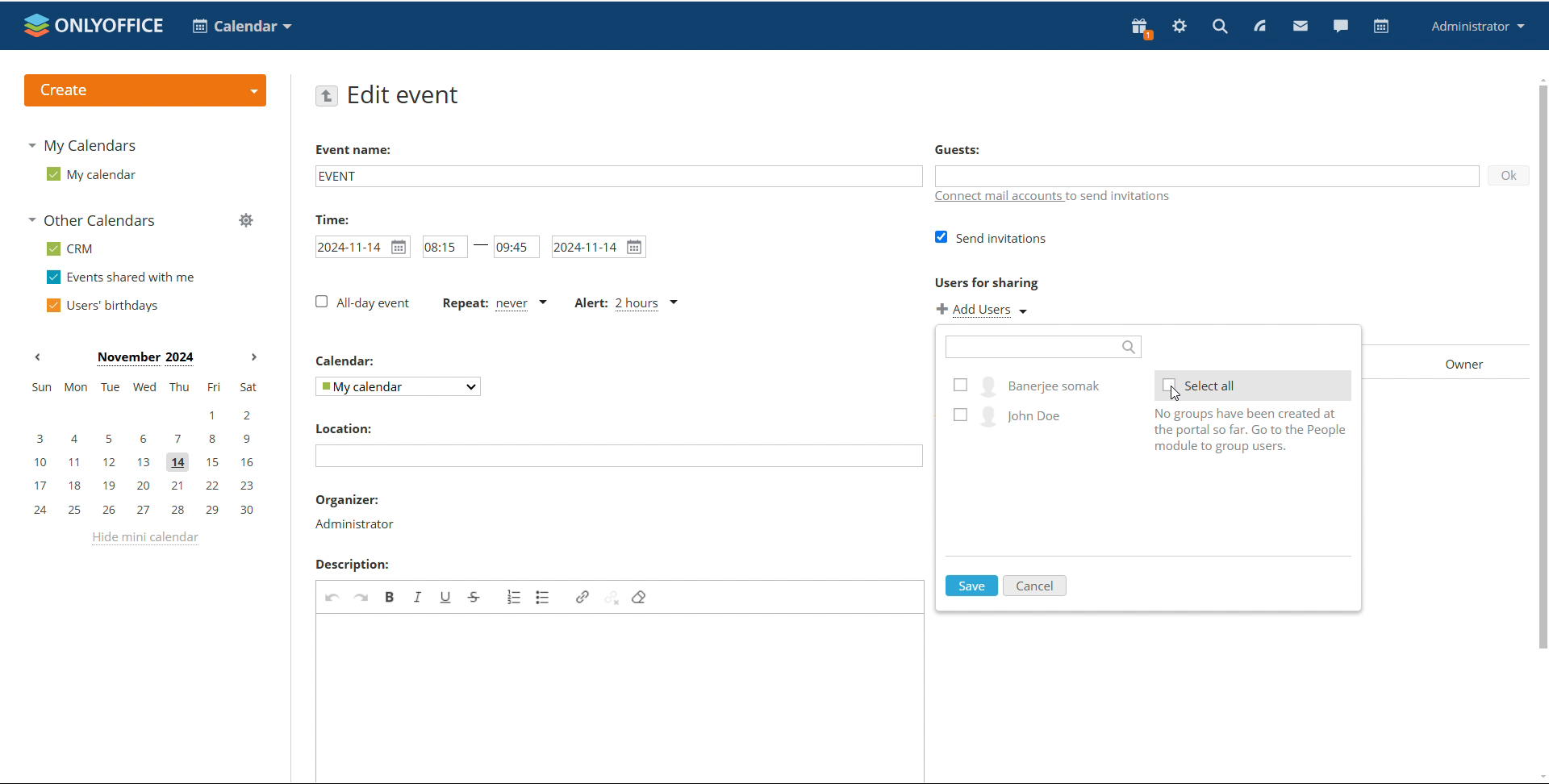 Image resolution: width=1549 pixels, height=784 pixels. I want to click on hide mini calendar, so click(148, 541).